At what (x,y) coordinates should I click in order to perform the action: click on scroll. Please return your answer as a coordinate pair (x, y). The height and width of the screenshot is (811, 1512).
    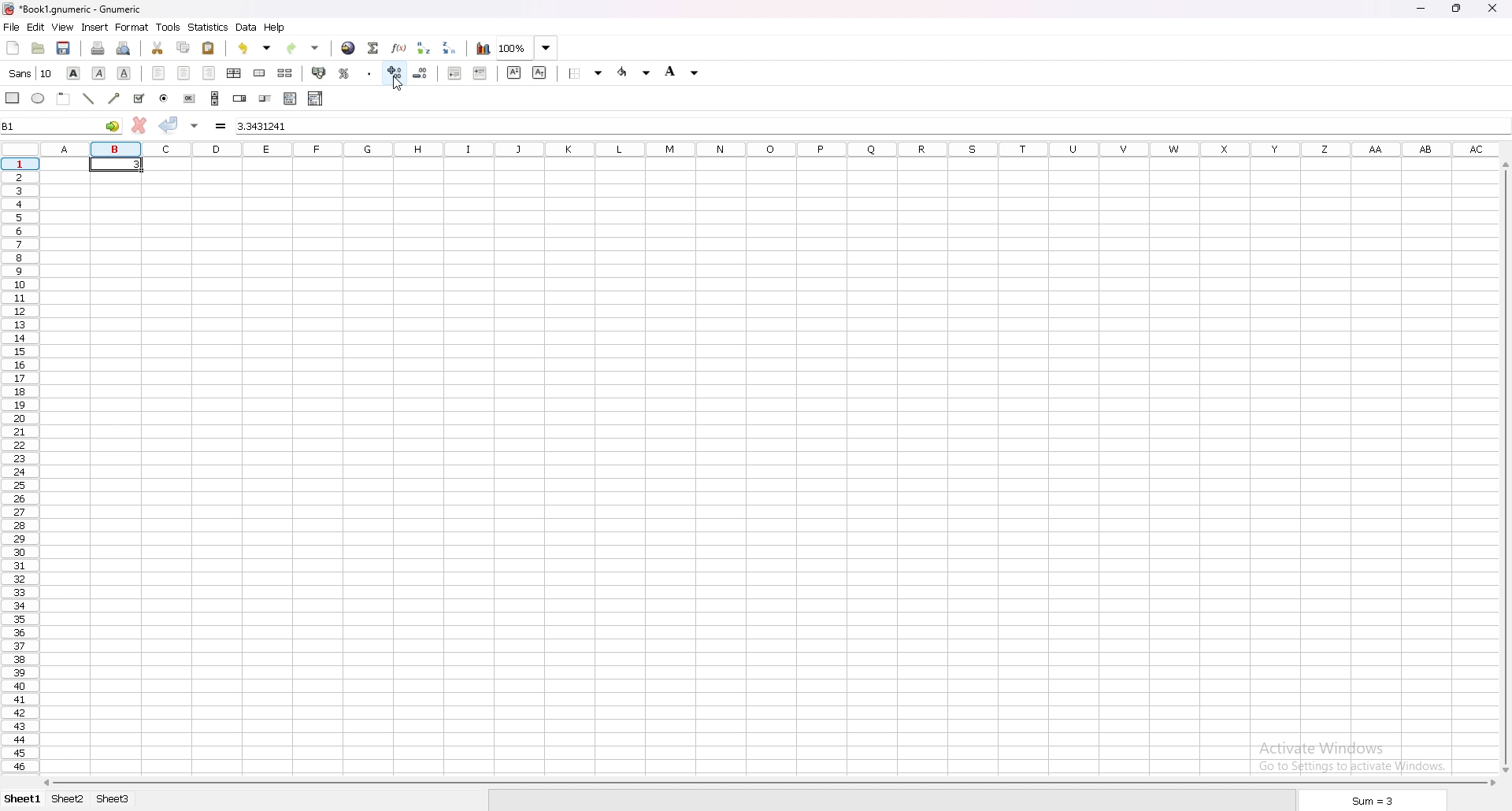
    Looking at the image, I should click on (215, 98).